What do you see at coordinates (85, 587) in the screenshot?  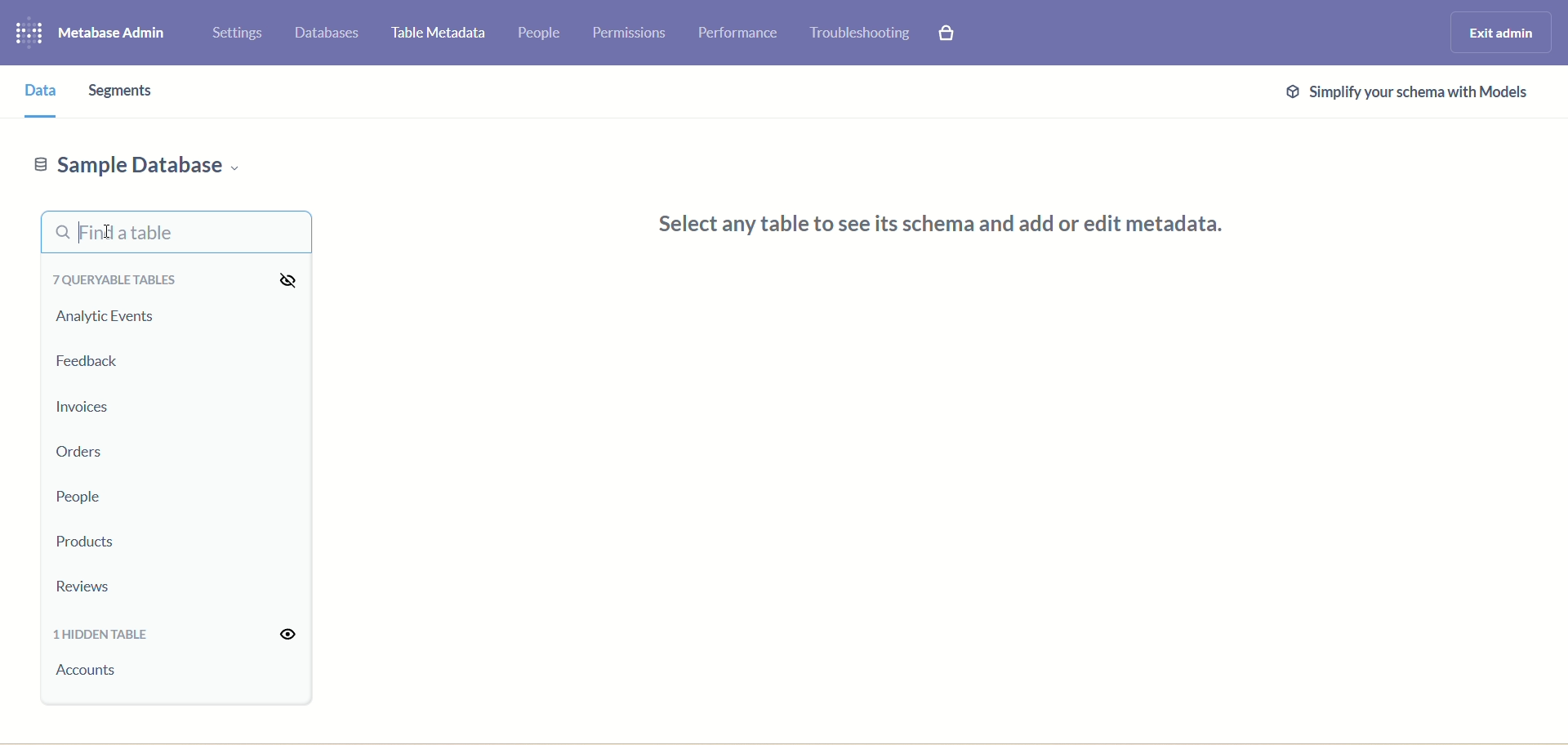 I see `reviews` at bounding box center [85, 587].